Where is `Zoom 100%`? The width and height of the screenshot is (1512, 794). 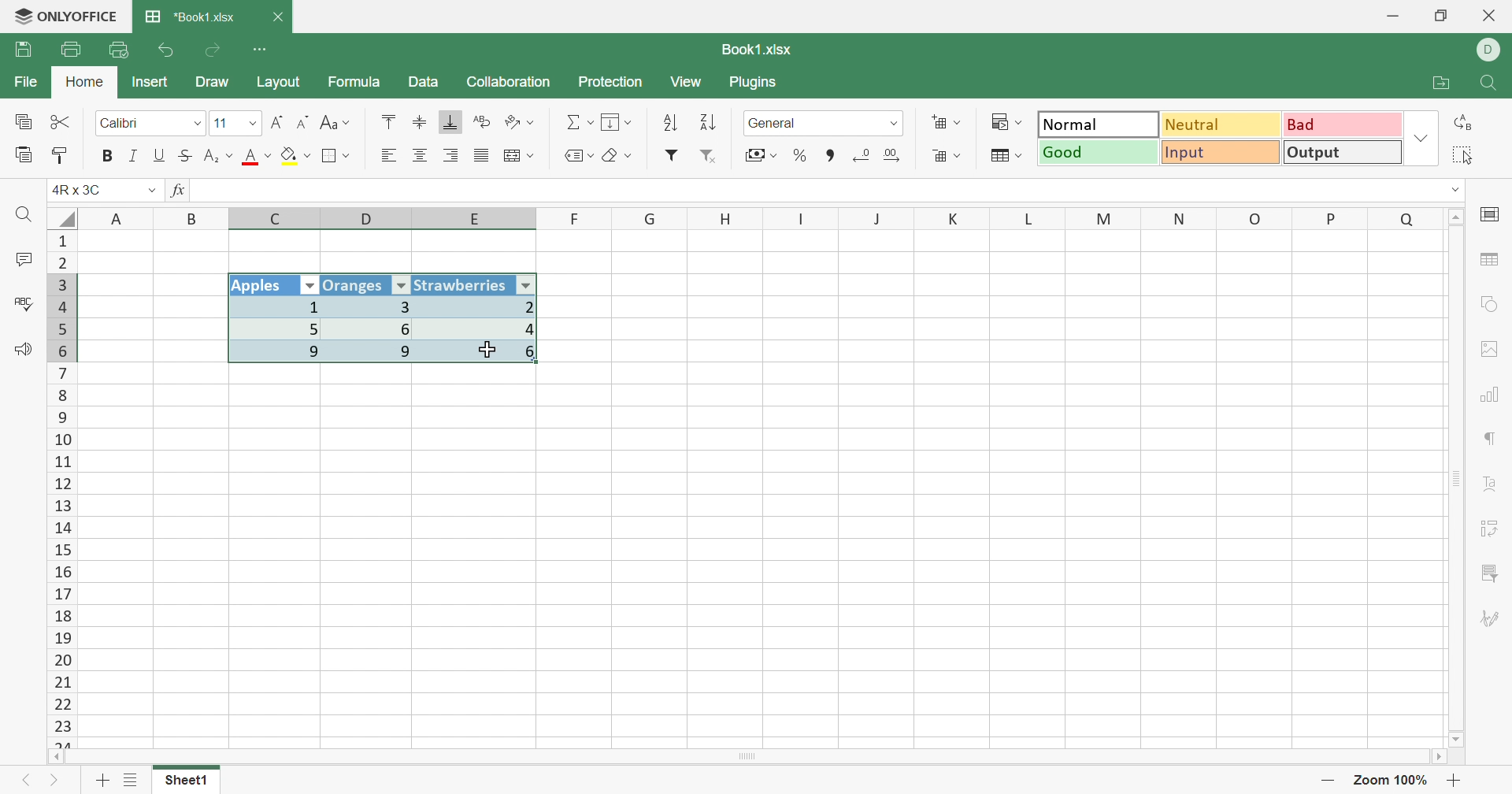
Zoom 100% is located at coordinates (1391, 780).